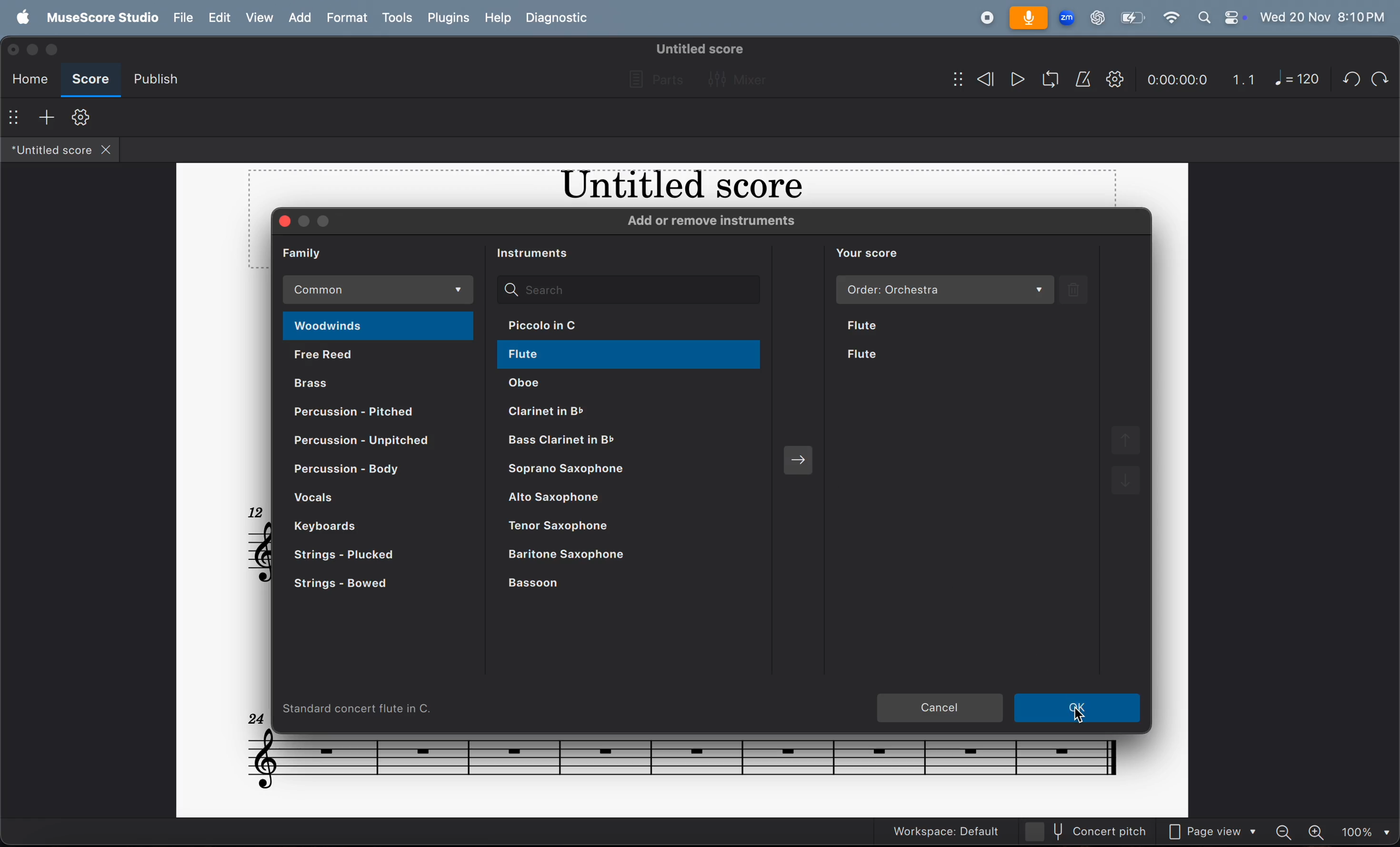 The image size is (1400, 847). I want to click on family, so click(311, 252).